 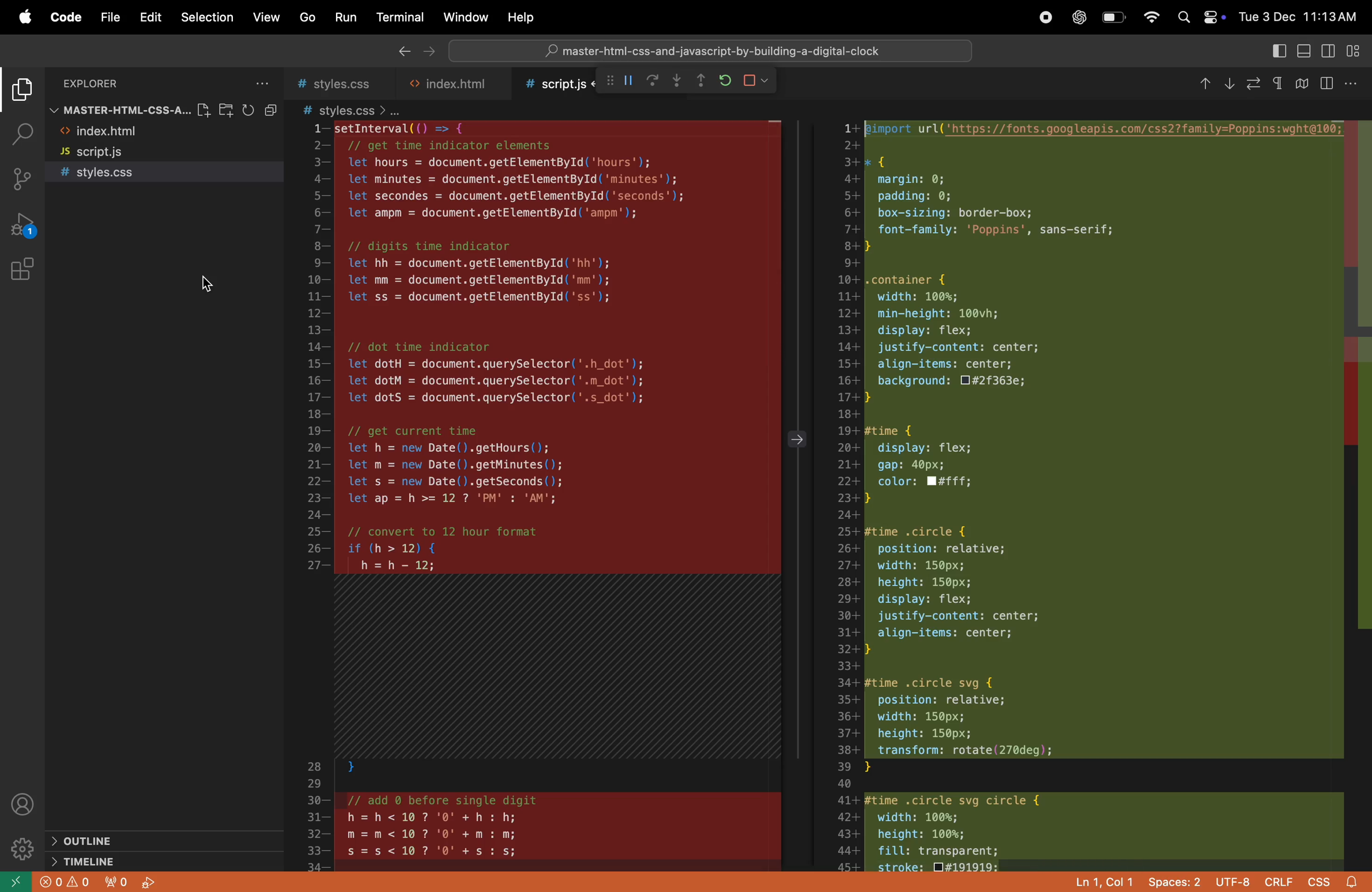 What do you see at coordinates (109, 84) in the screenshot?
I see `explorer` at bounding box center [109, 84].